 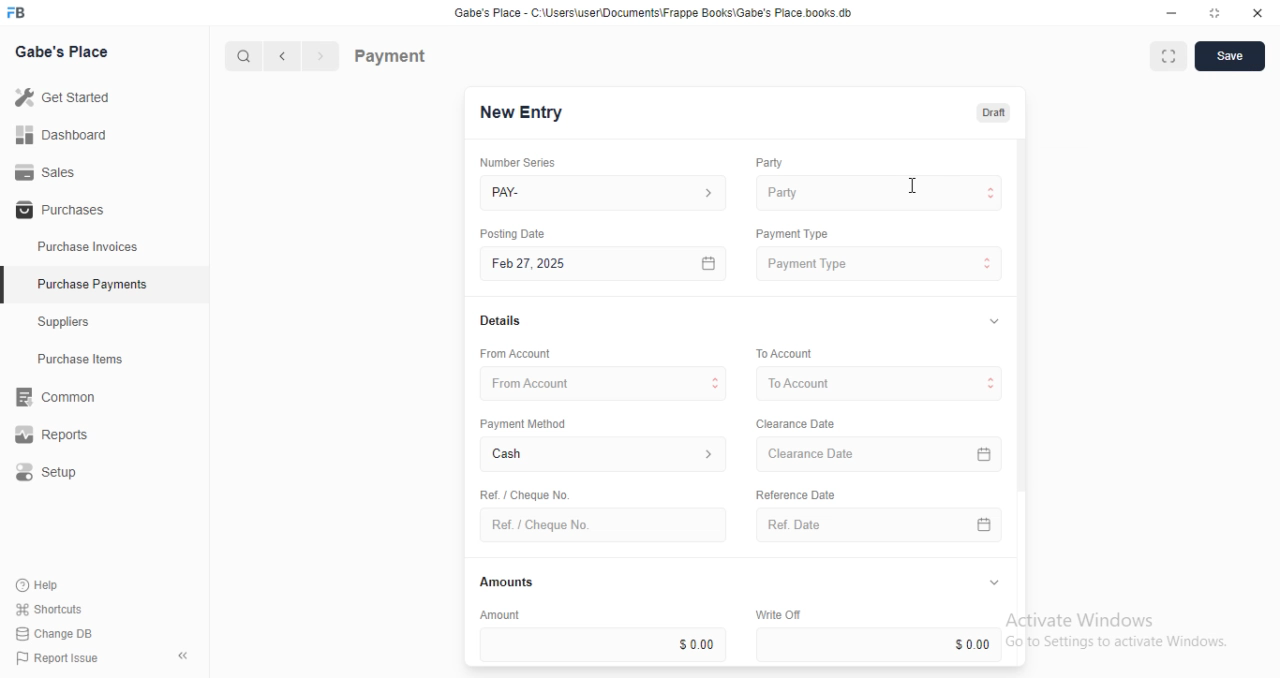 I want to click on Report Issue, so click(x=52, y=658).